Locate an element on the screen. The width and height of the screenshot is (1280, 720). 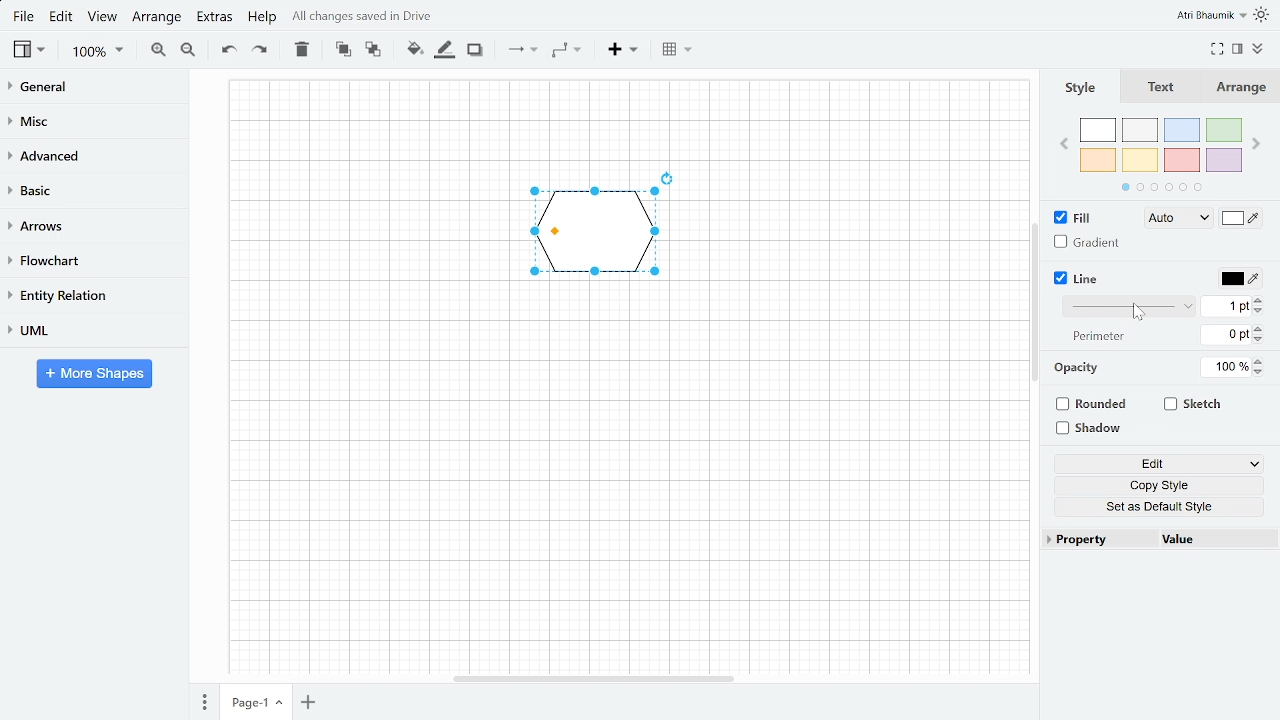
Waypoint is located at coordinates (566, 51).